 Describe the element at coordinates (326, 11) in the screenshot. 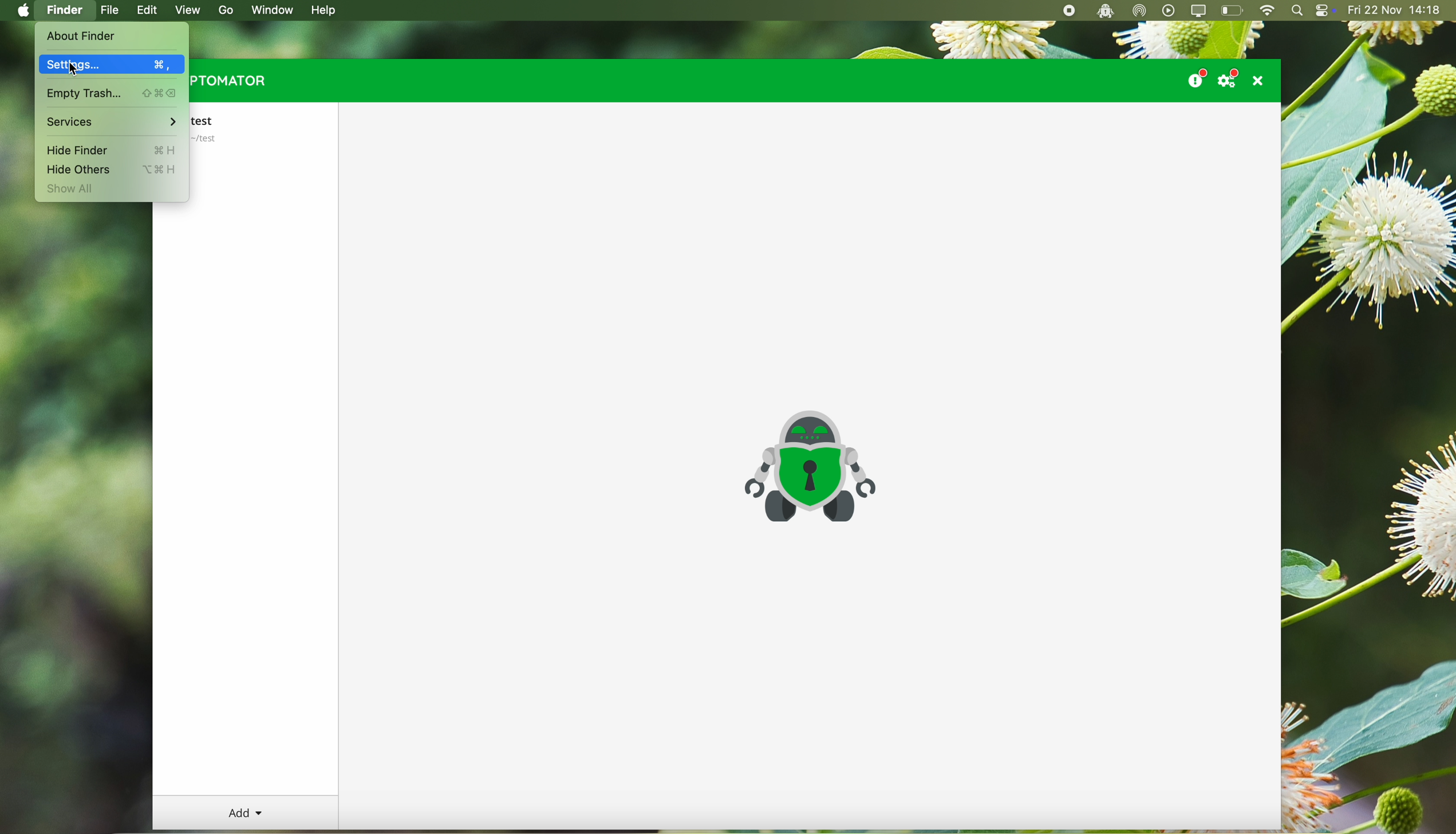

I see `help` at that location.